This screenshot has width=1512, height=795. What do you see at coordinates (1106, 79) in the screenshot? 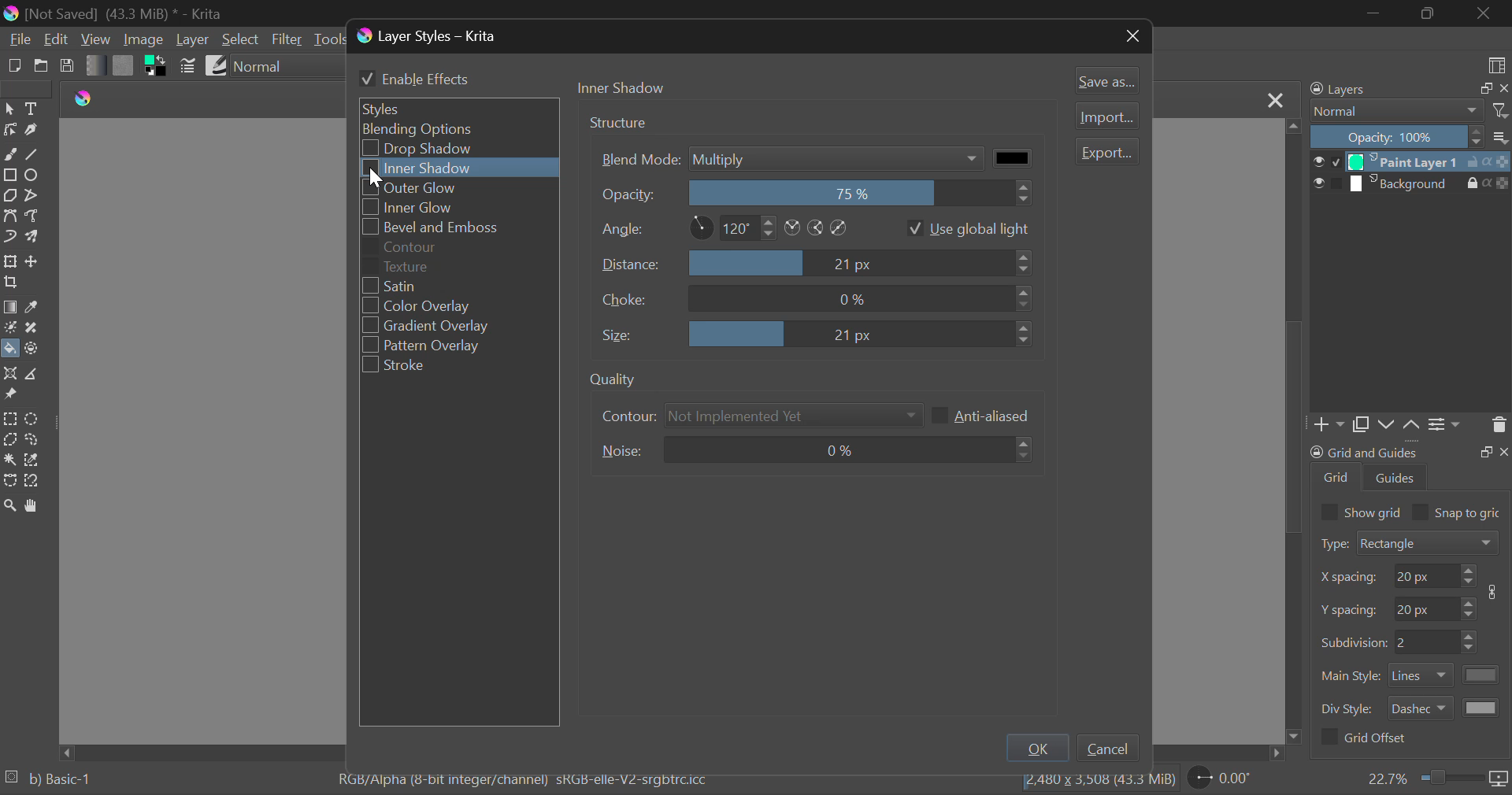
I see `Save as` at bounding box center [1106, 79].